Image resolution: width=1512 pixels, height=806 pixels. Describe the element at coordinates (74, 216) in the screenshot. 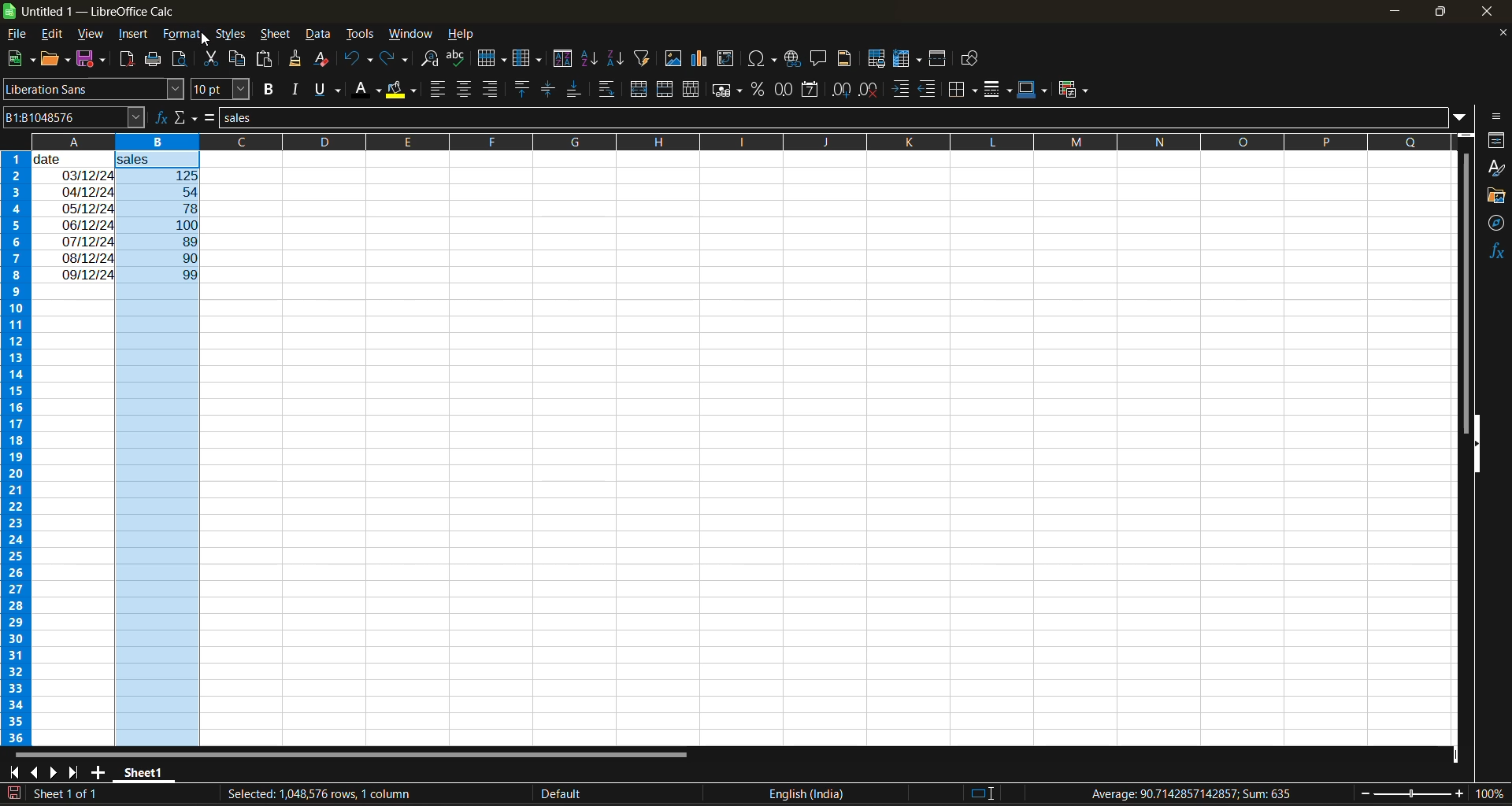

I see `data` at that location.